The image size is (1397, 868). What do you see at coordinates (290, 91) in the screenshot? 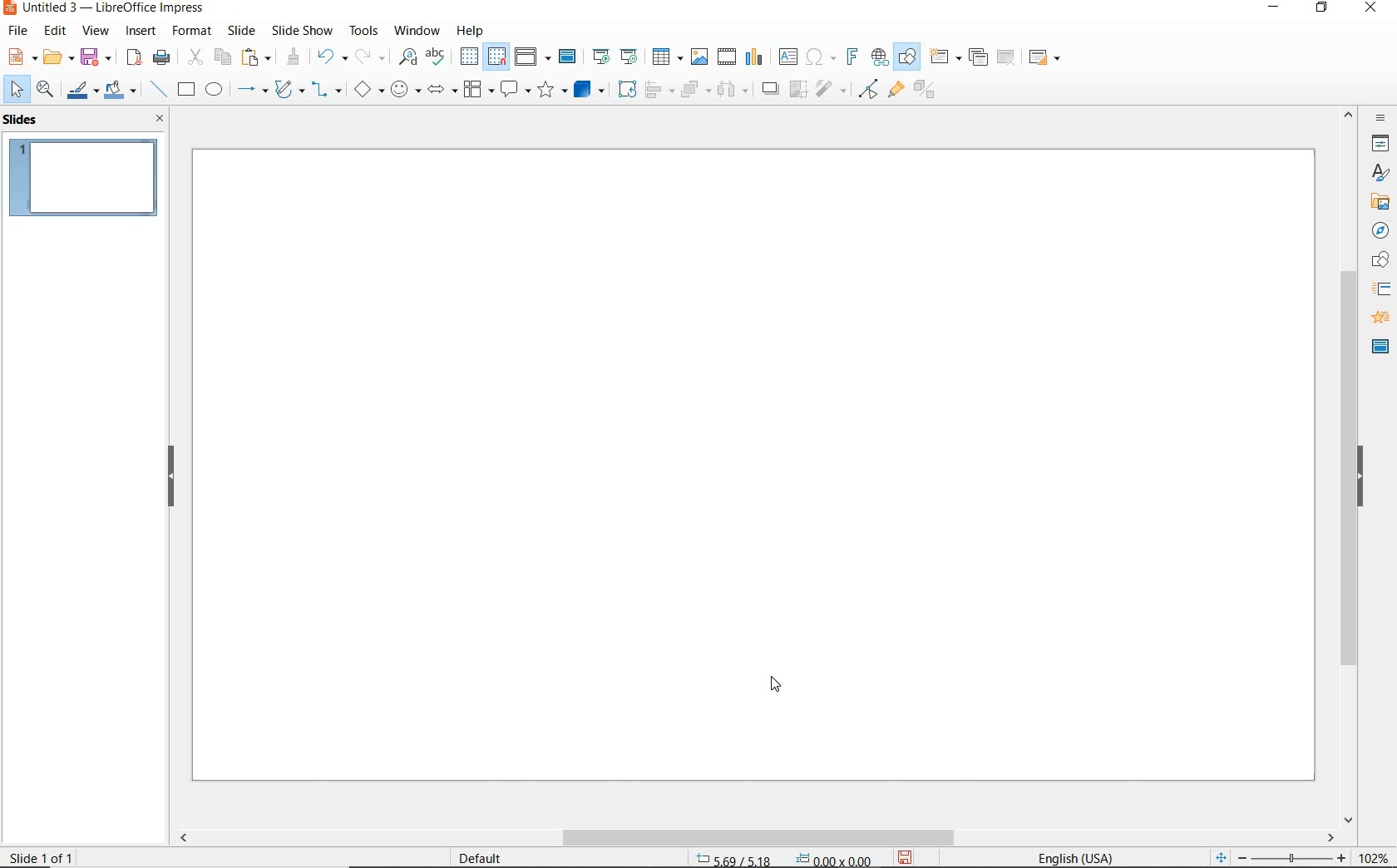
I see `CURVES AND POLYGONS` at bounding box center [290, 91].